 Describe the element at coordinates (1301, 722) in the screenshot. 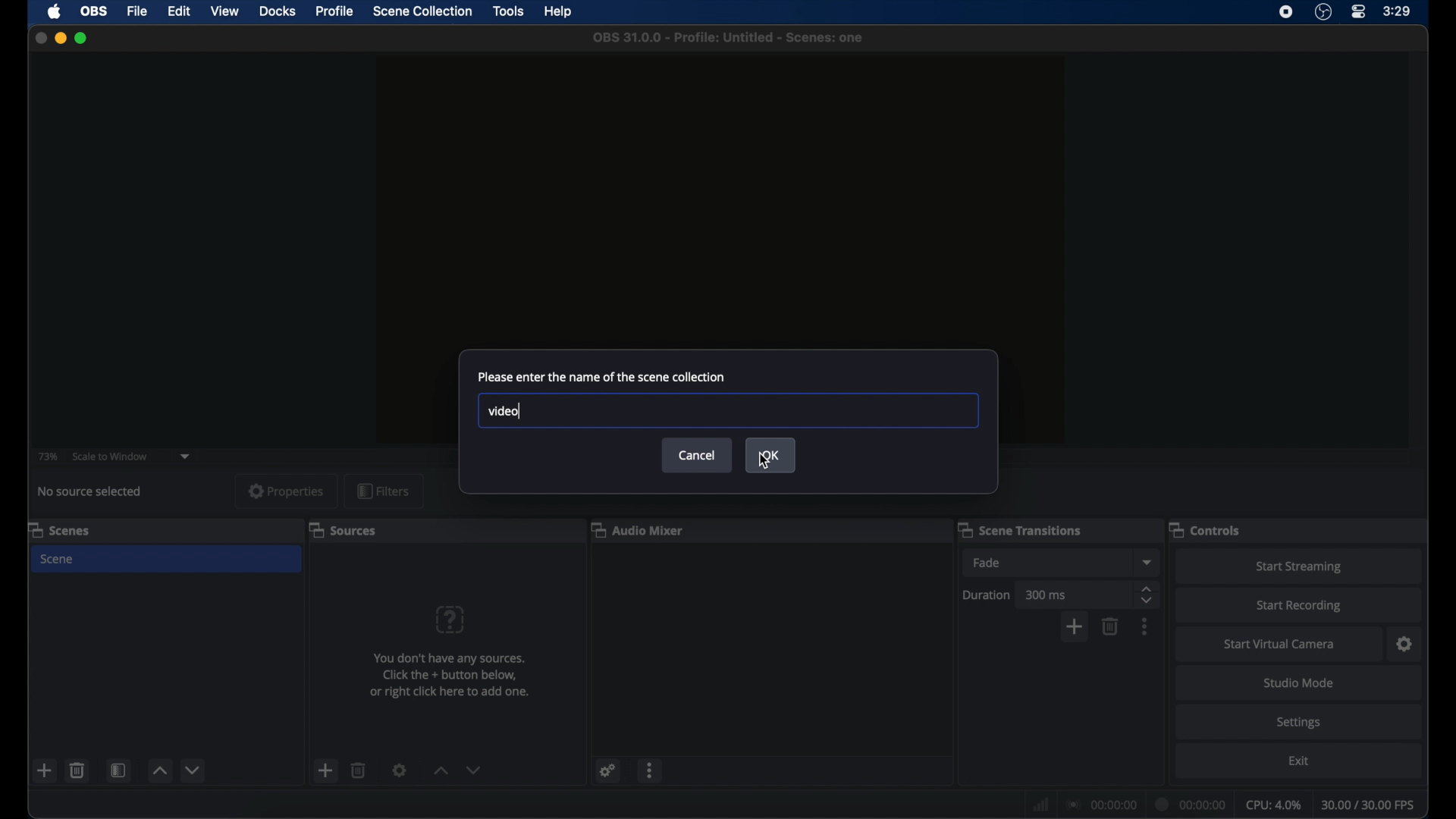

I see `settings` at that location.